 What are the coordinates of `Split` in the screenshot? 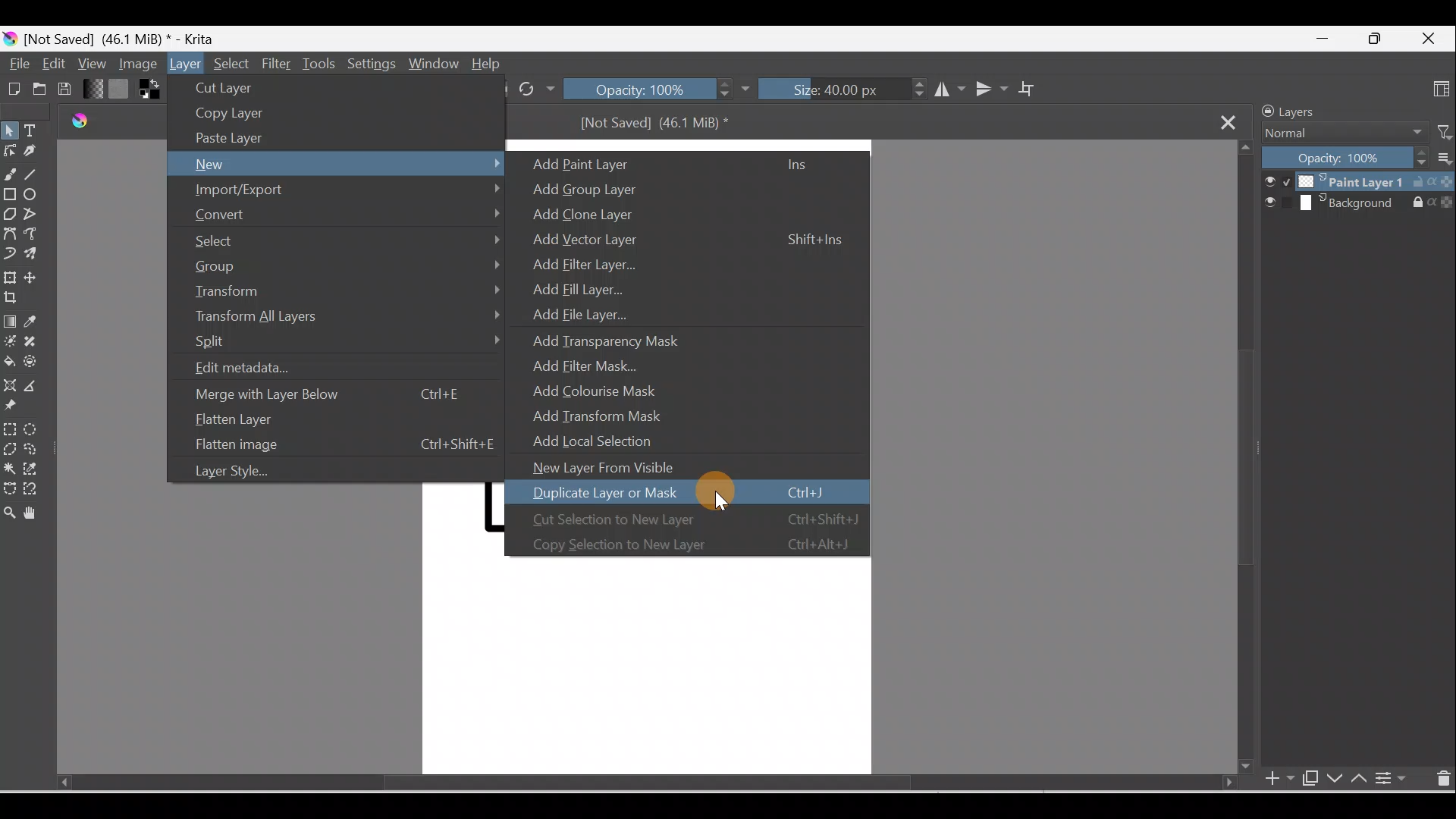 It's located at (345, 344).